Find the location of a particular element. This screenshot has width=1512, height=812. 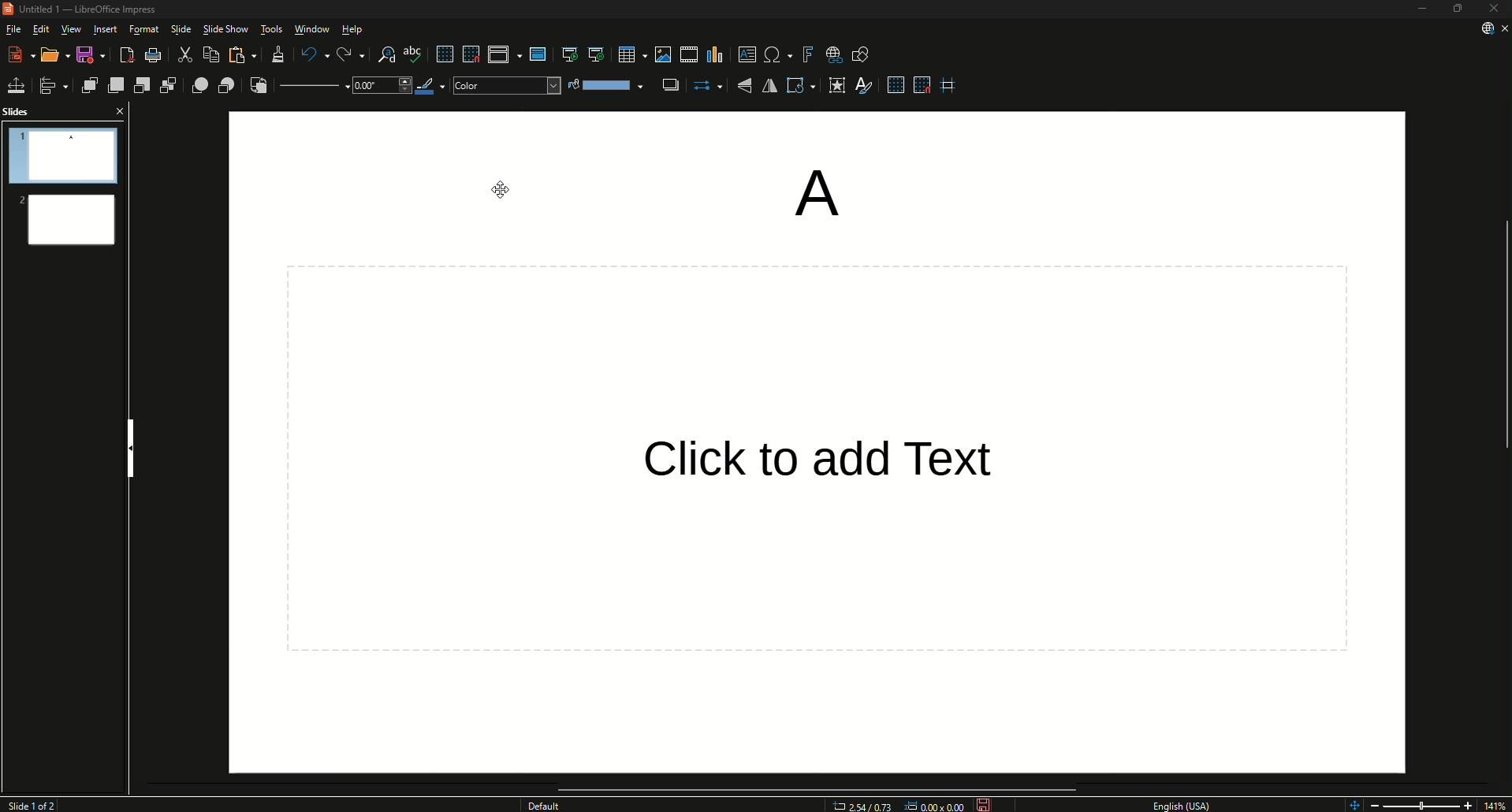

Zoom In is located at coordinates (1468, 803).